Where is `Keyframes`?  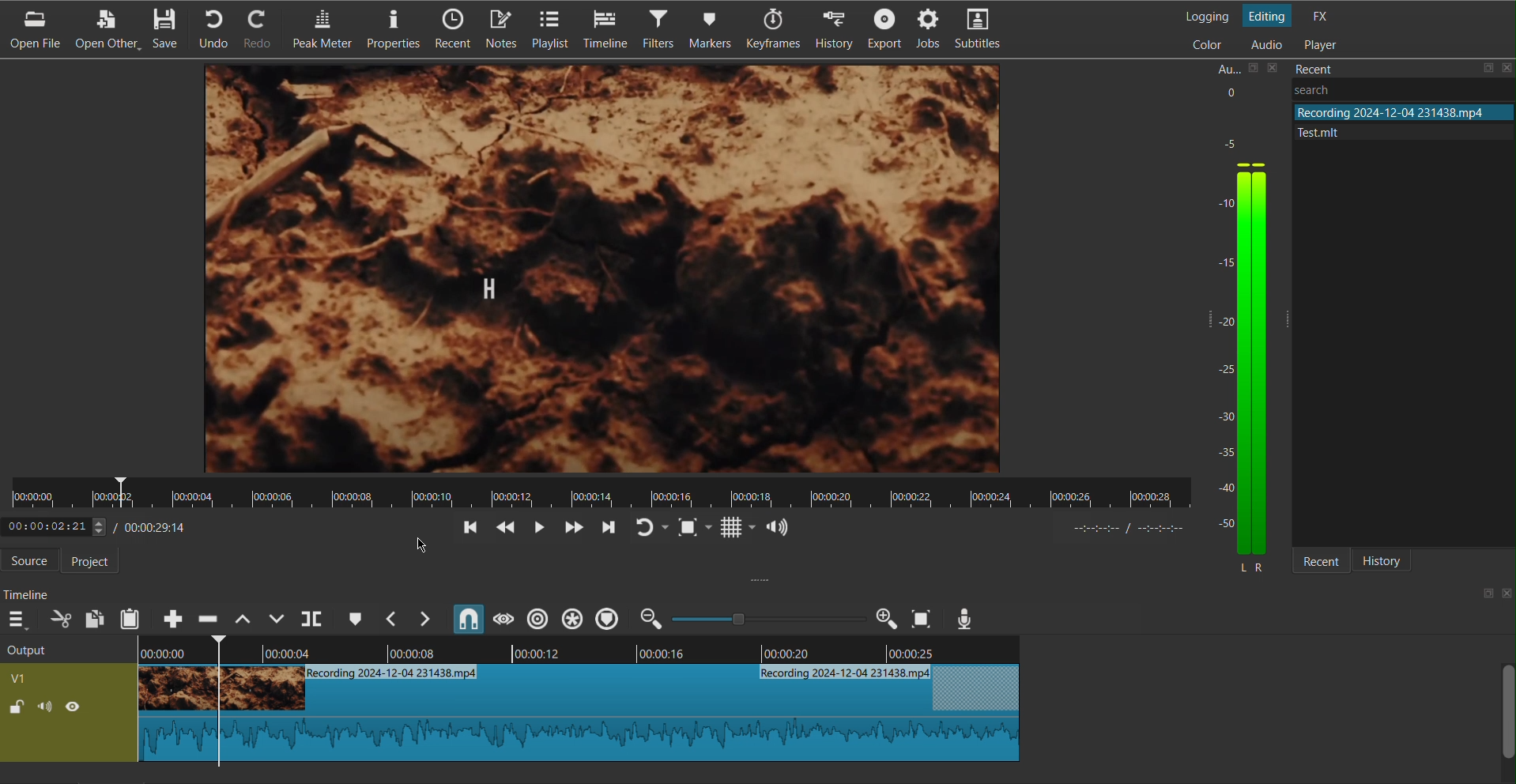 Keyframes is located at coordinates (771, 32).